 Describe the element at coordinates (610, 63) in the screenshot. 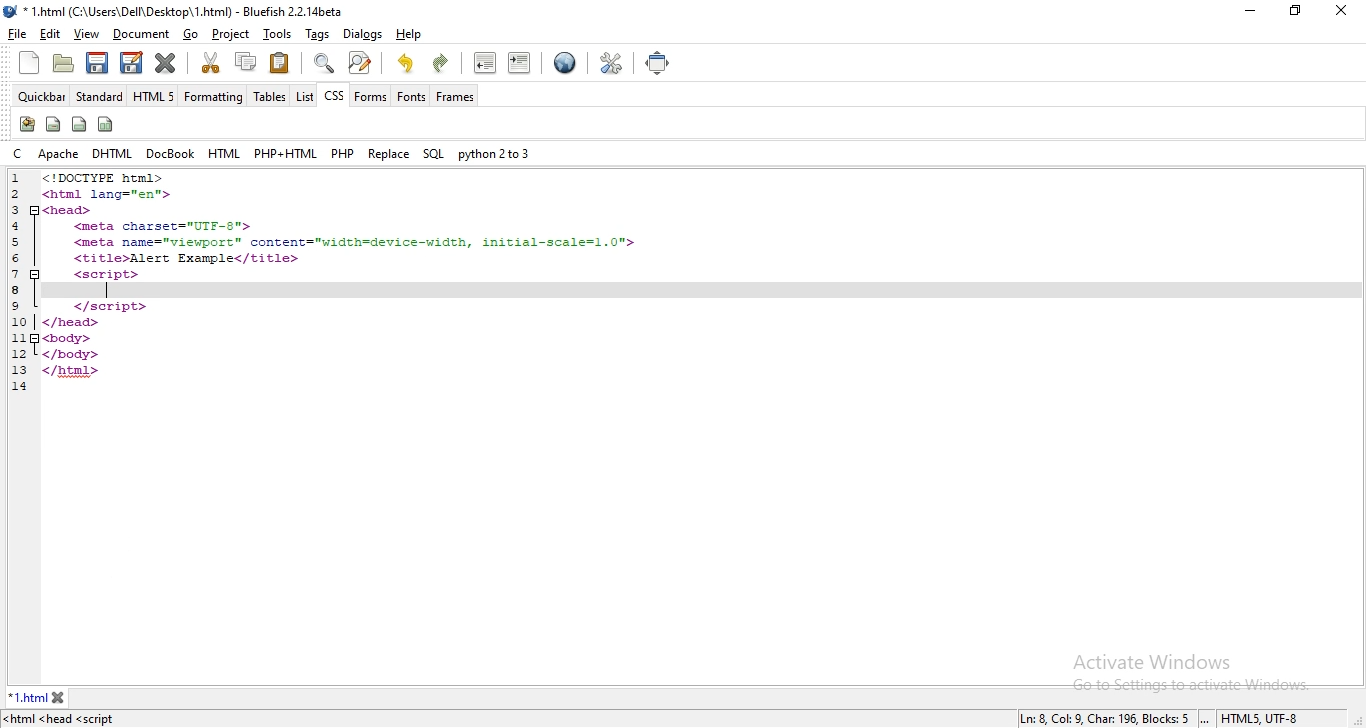

I see `tools` at that location.